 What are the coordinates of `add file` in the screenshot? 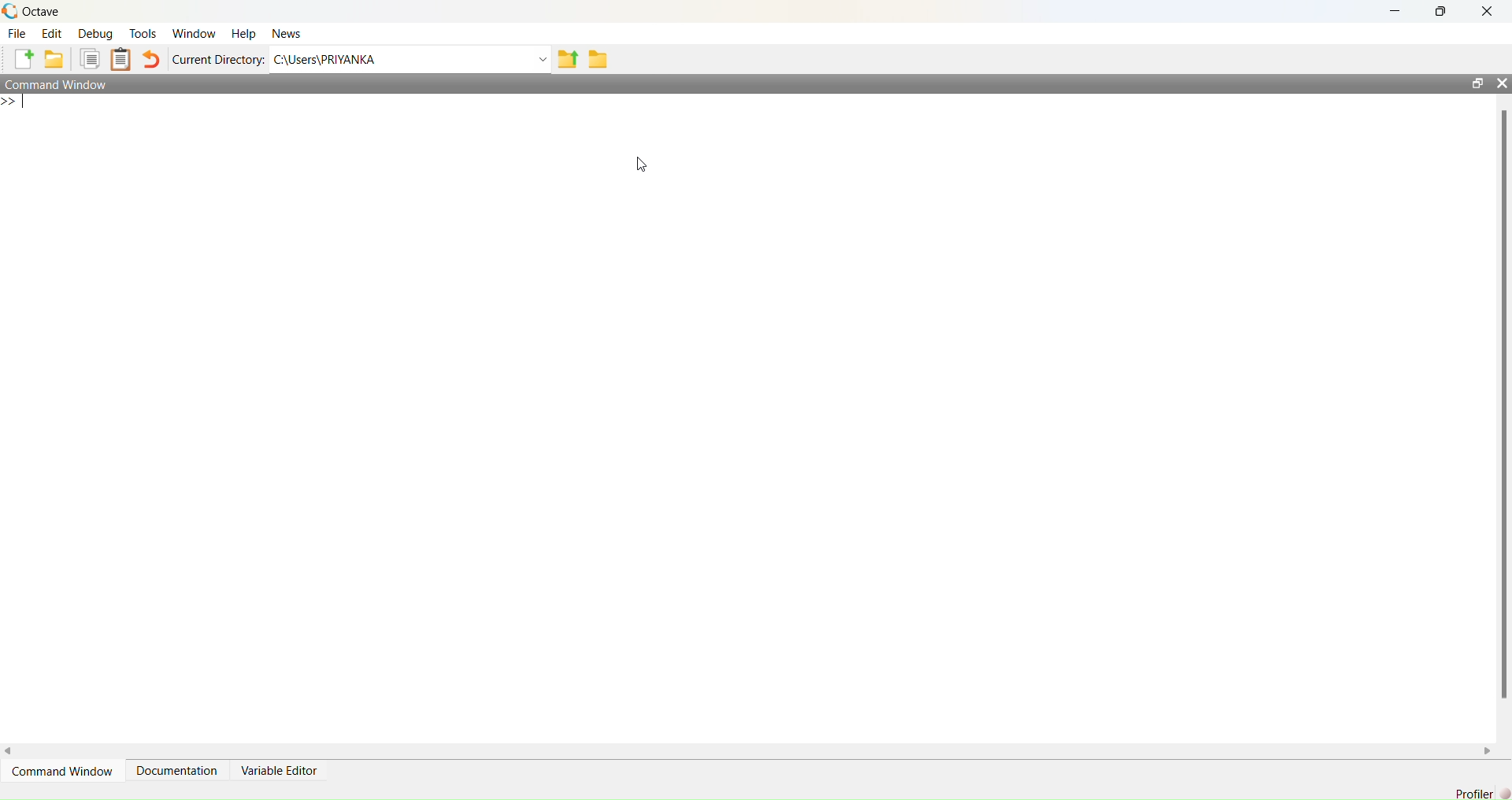 It's located at (23, 59).